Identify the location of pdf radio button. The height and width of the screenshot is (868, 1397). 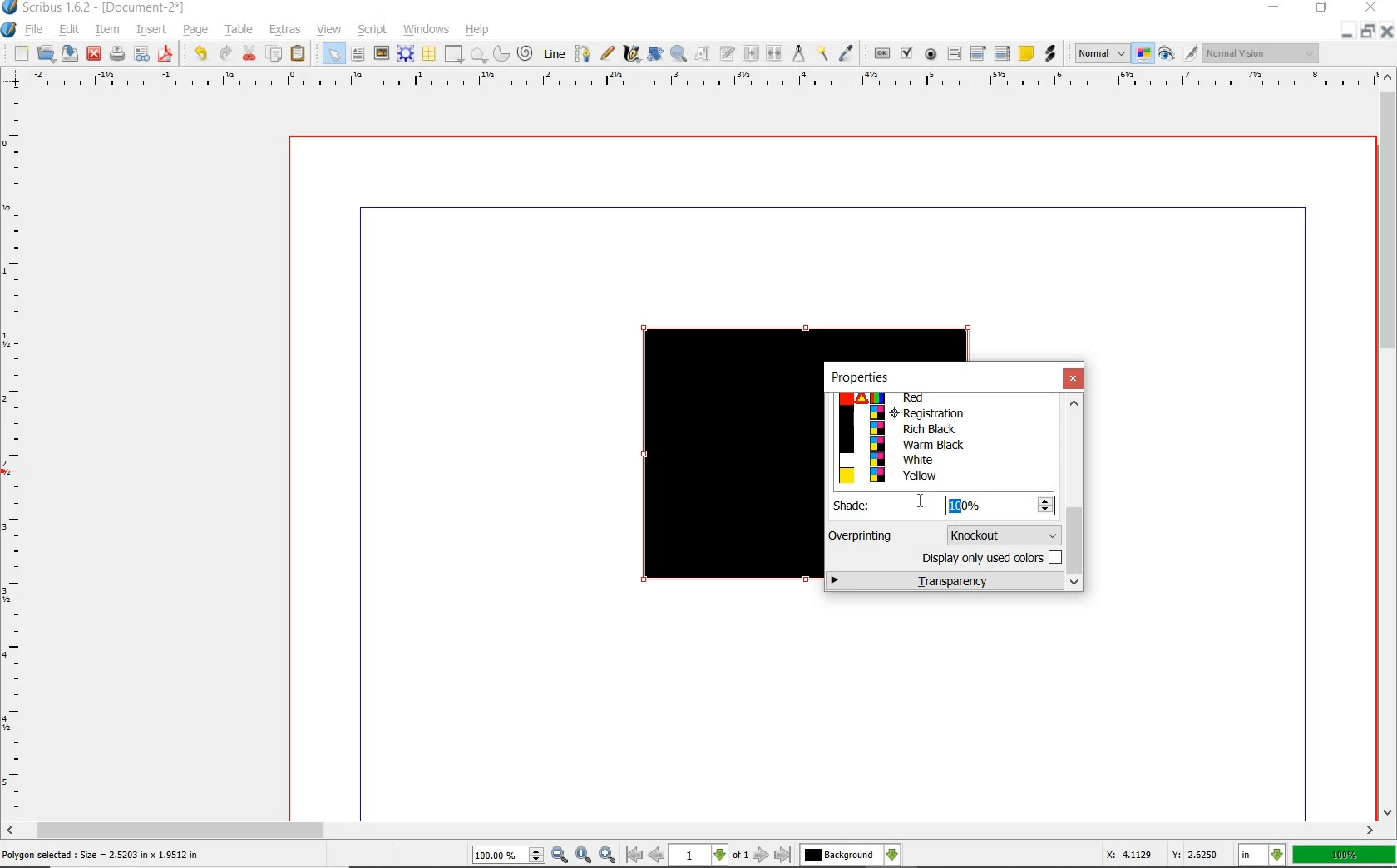
(927, 54).